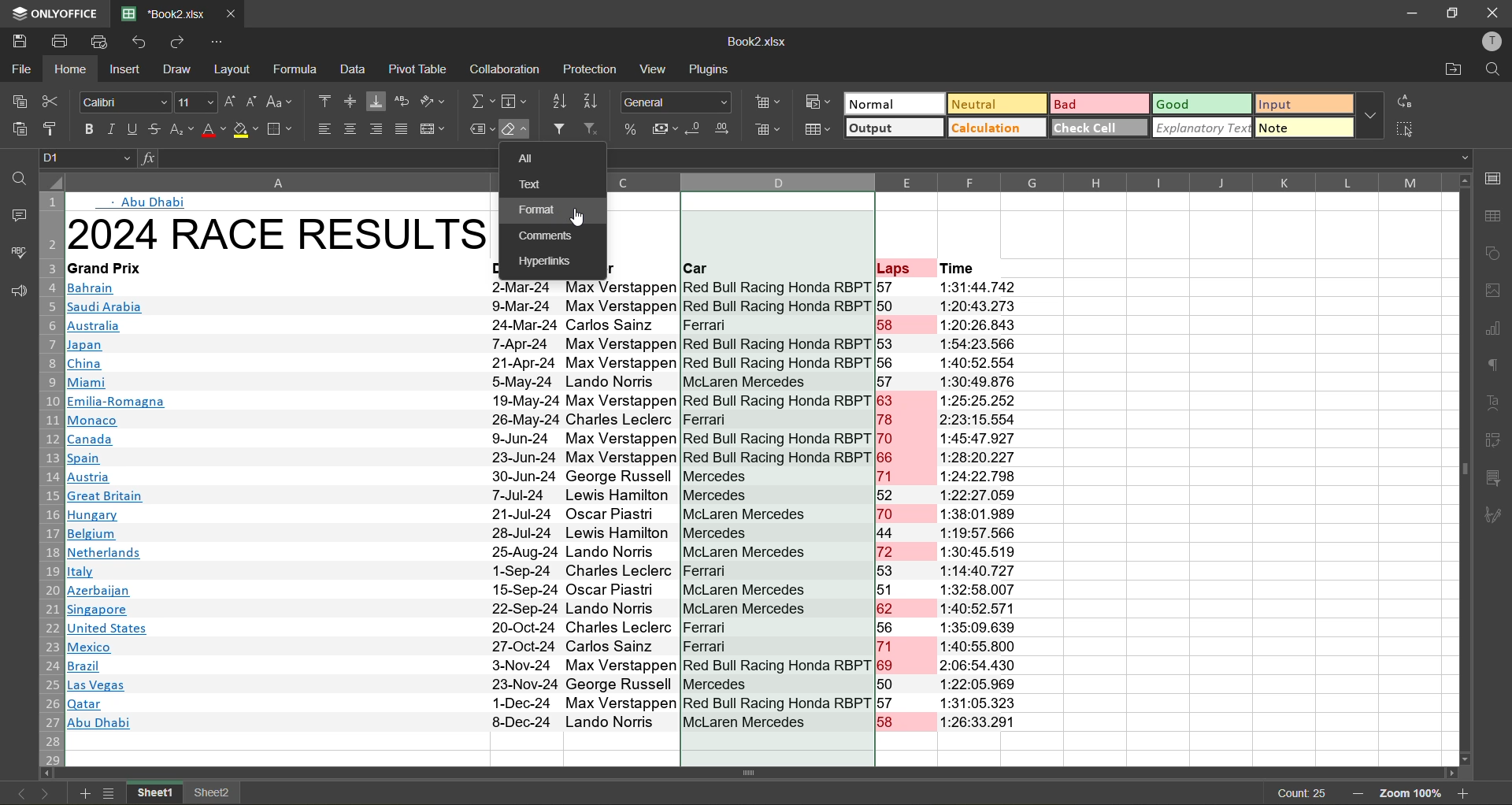 Image resolution: width=1512 pixels, height=805 pixels. Describe the element at coordinates (481, 101) in the screenshot. I see `summation` at that location.